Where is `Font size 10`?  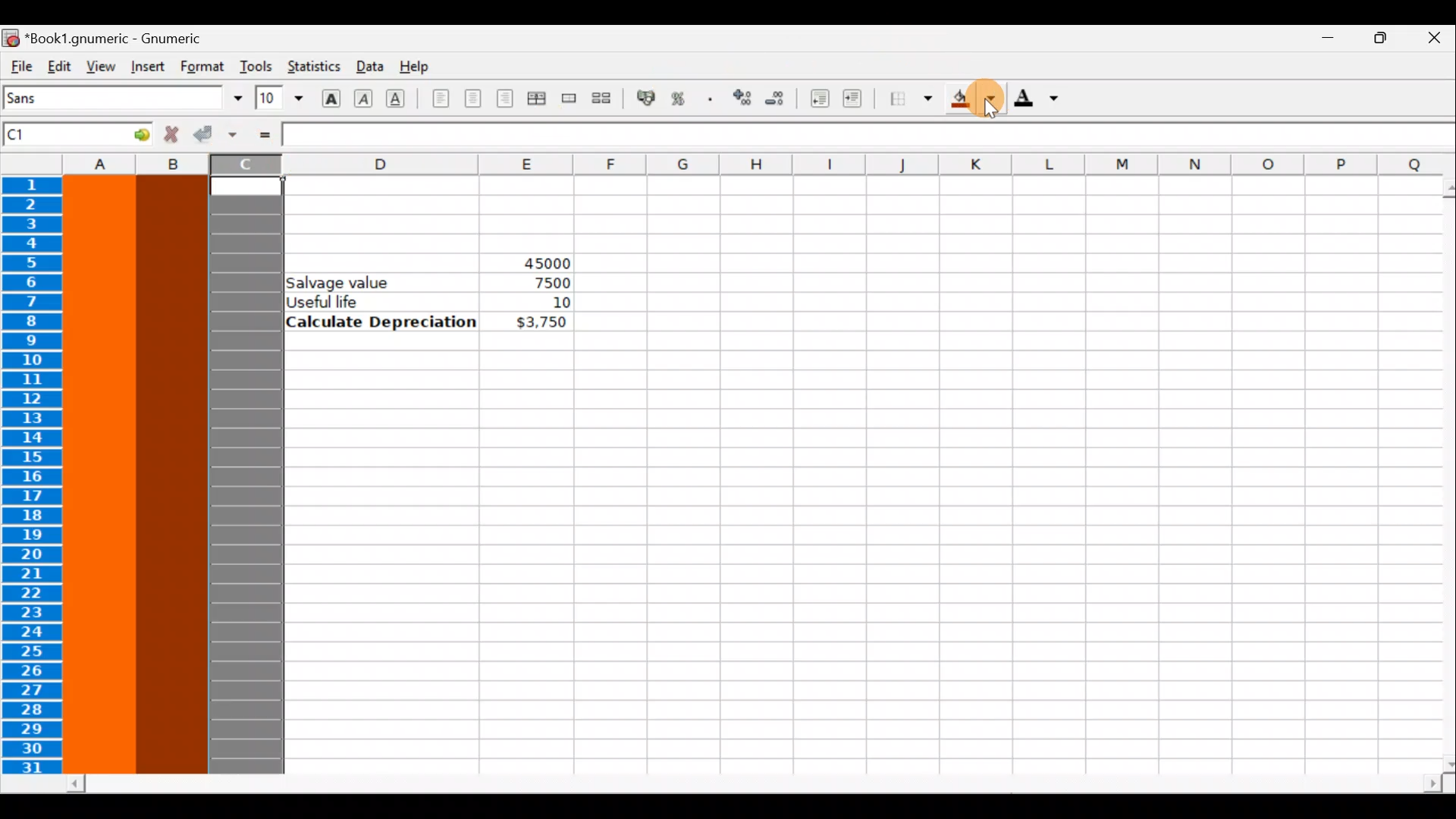 Font size 10 is located at coordinates (275, 99).